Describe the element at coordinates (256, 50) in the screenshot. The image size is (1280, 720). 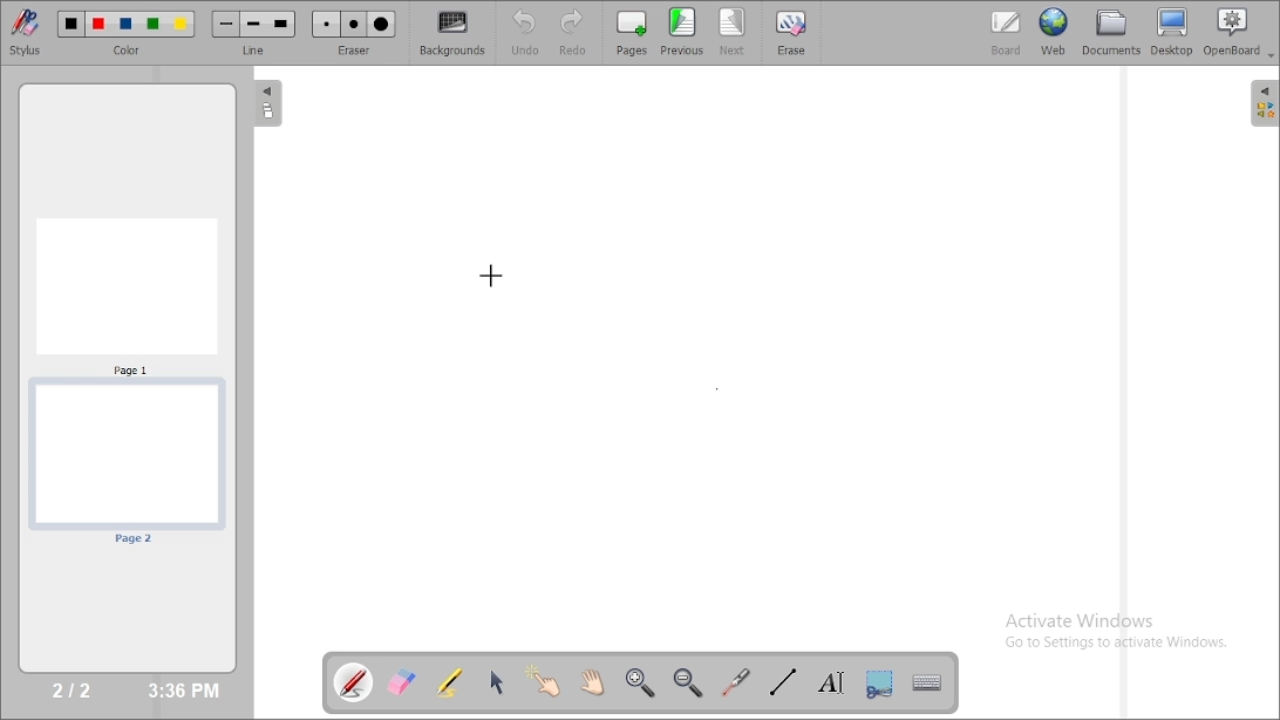
I see `line` at that location.